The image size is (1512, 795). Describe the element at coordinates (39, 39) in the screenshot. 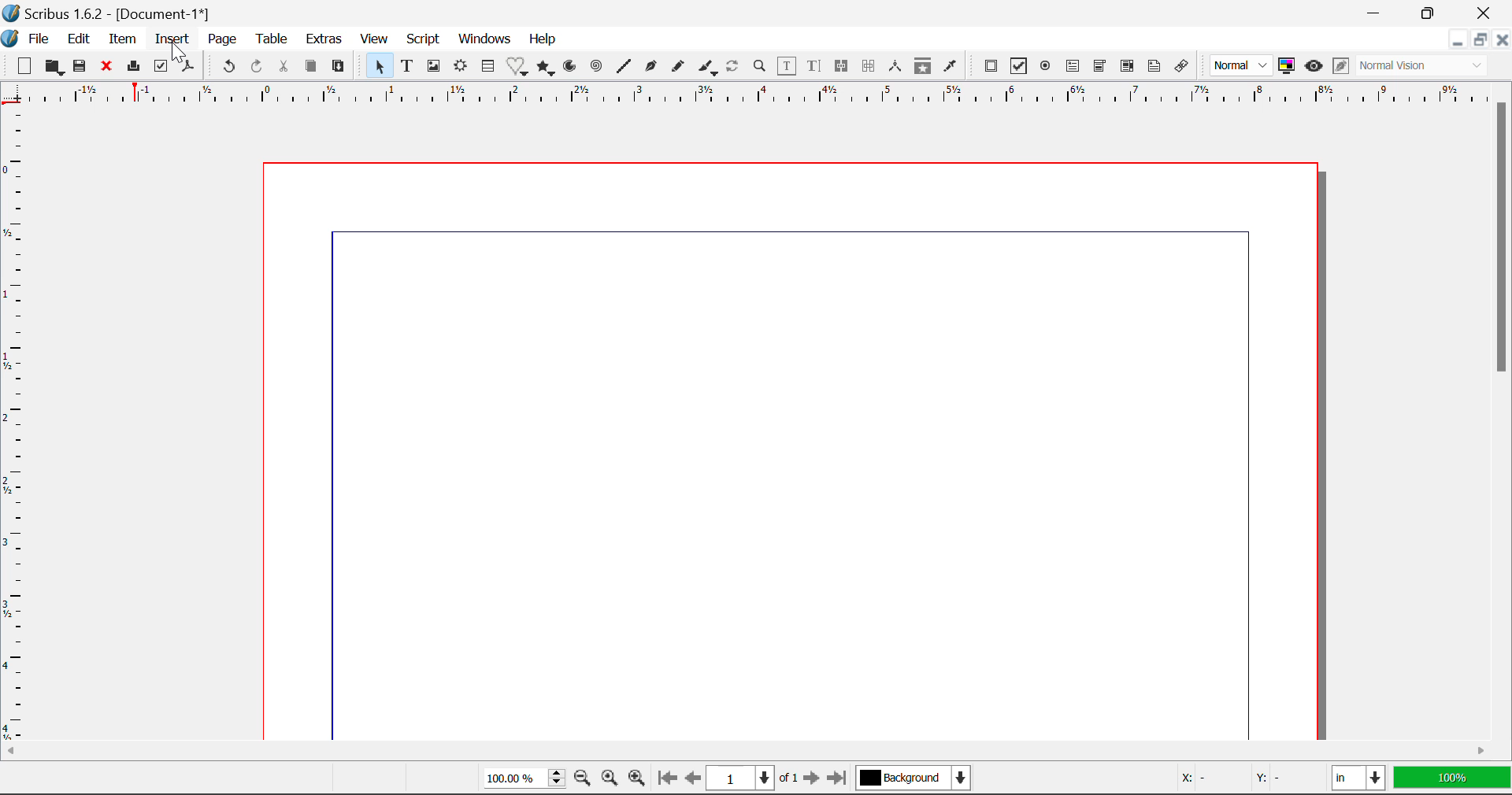

I see `File` at that location.